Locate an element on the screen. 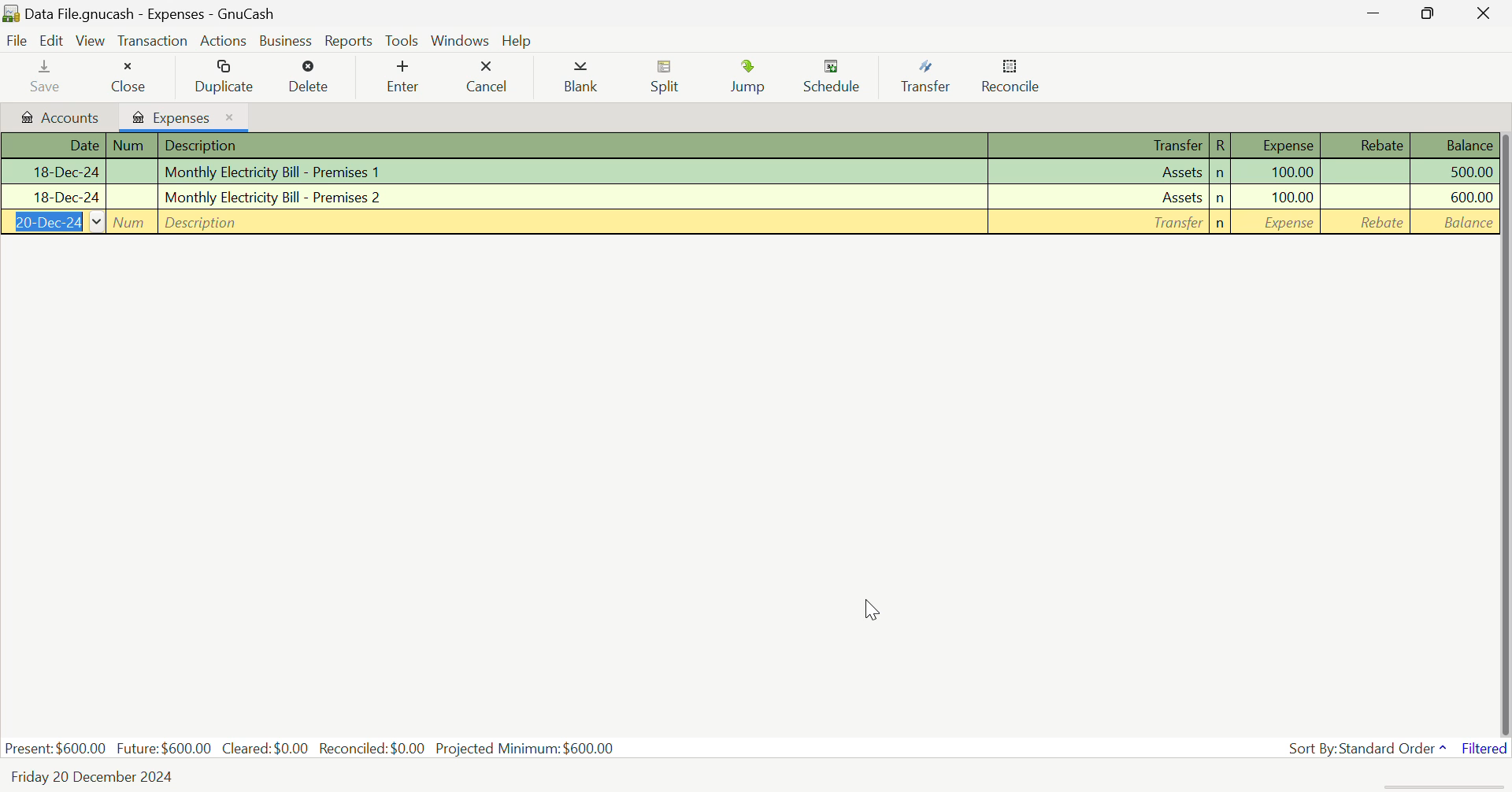 Image resolution: width=1512 pixels, height=792 pixels. Assets is located at coordinates (1098, 196).